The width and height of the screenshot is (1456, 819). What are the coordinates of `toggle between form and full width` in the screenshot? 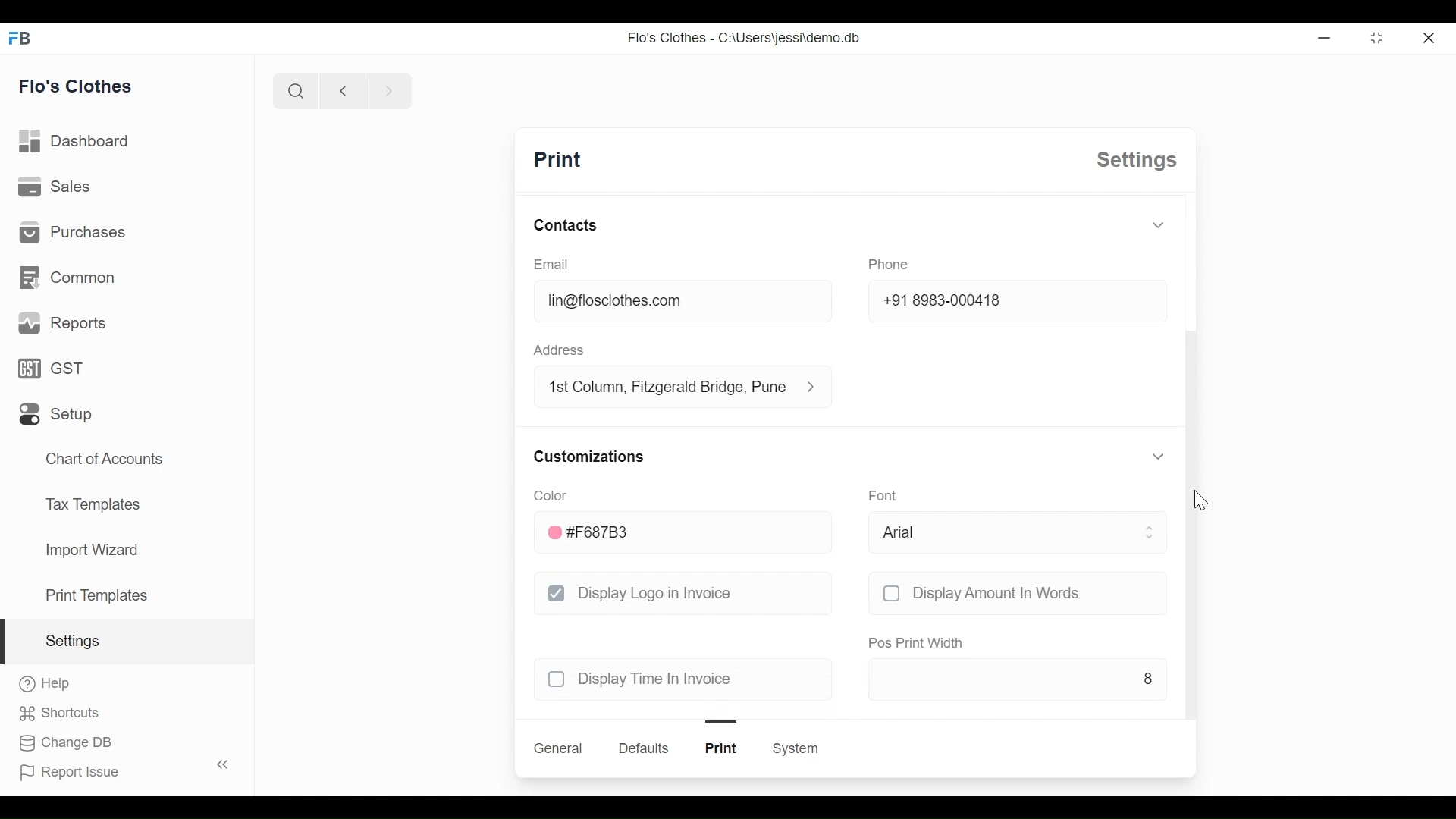 It's located at (1377, 38).